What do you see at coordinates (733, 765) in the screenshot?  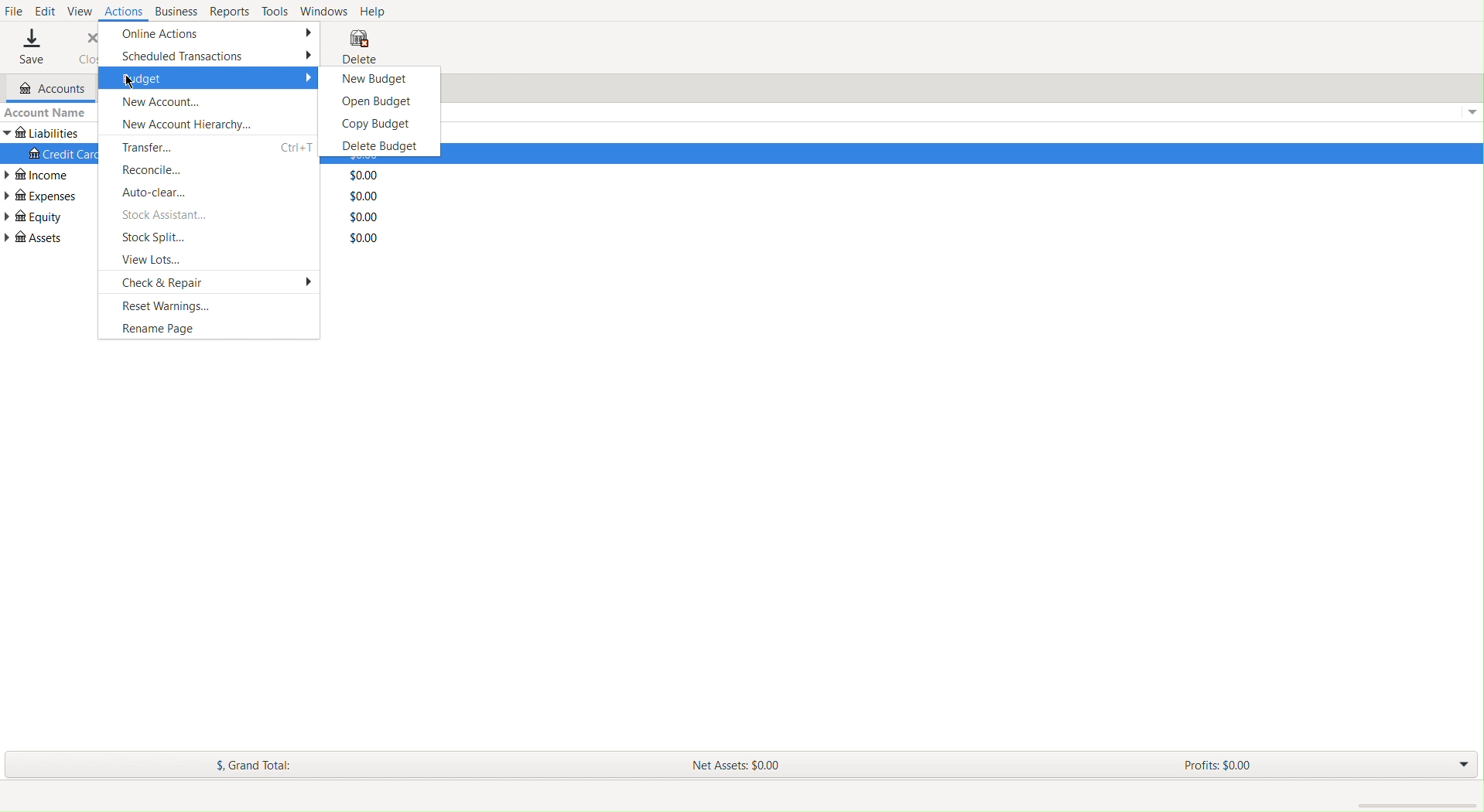 I see `Net Assets` at bounding box center [733, 765].